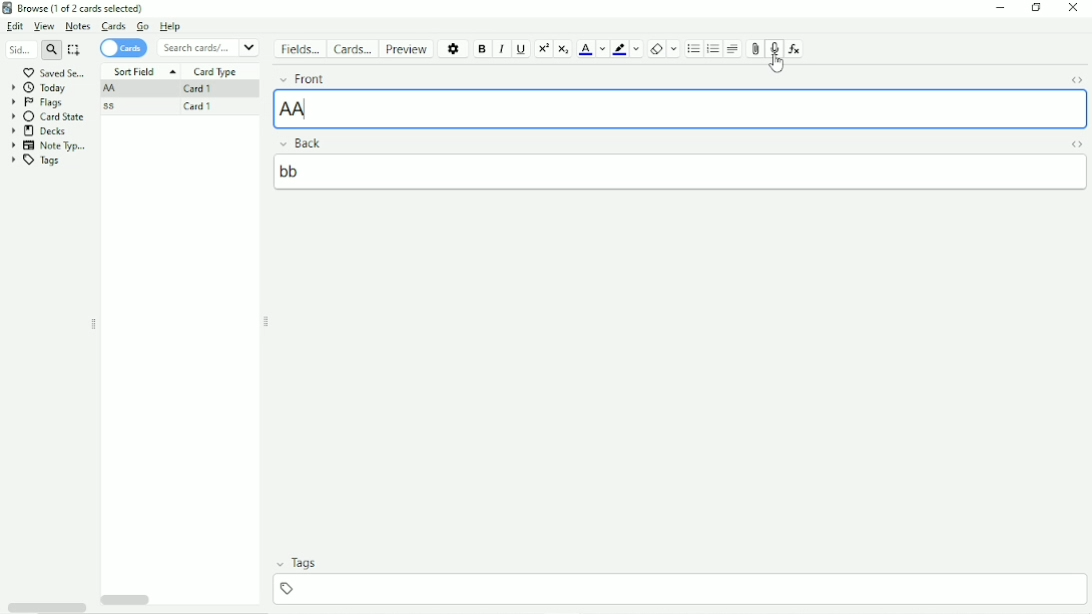 Image resolution: width=1092 pixels, height=614 pixels. I want to click on Search cards/notes, so click(208, 47).